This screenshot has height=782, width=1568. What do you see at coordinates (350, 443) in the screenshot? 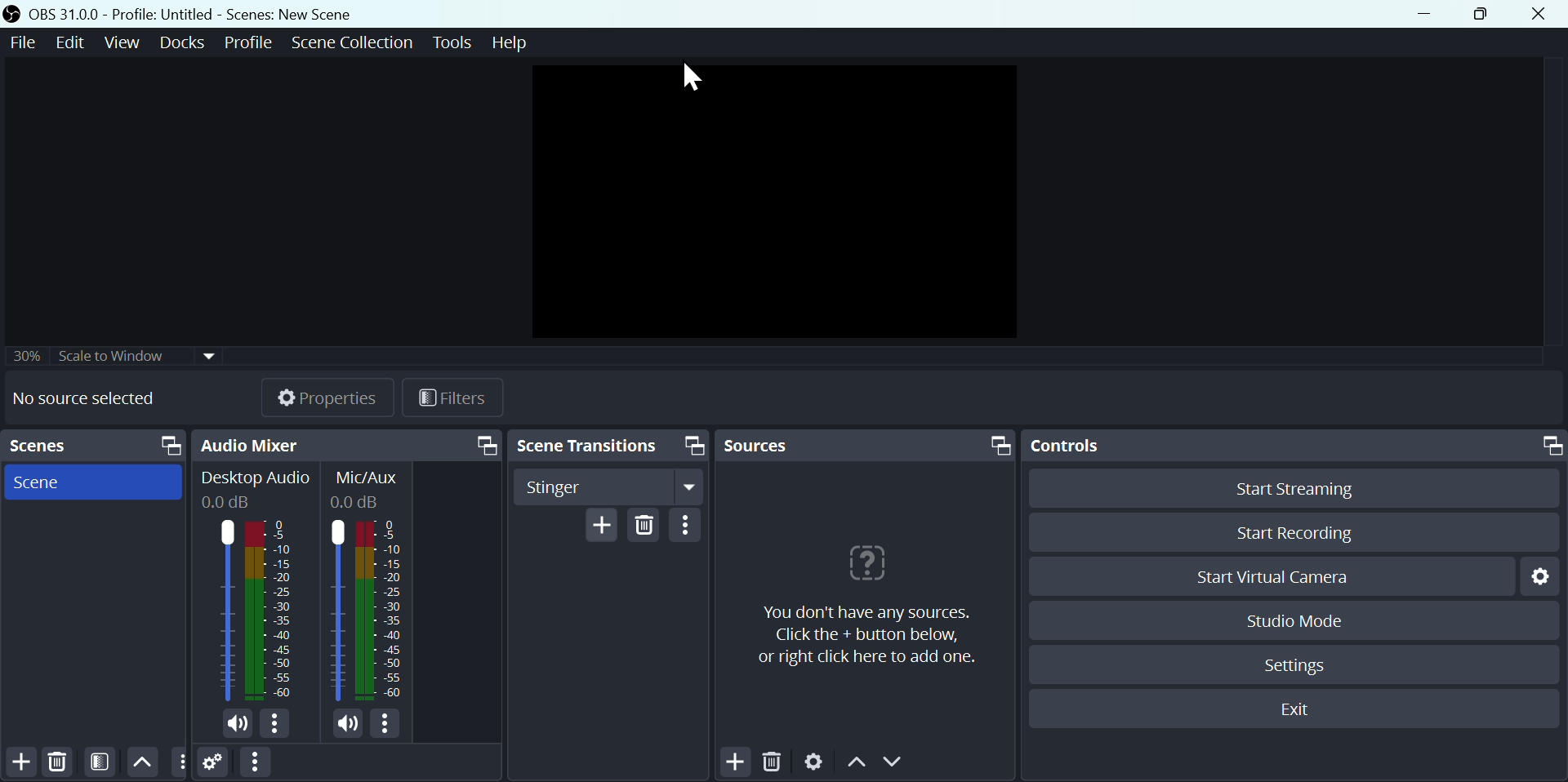
I see `Audio mixer` at bounding box center [350, 443].